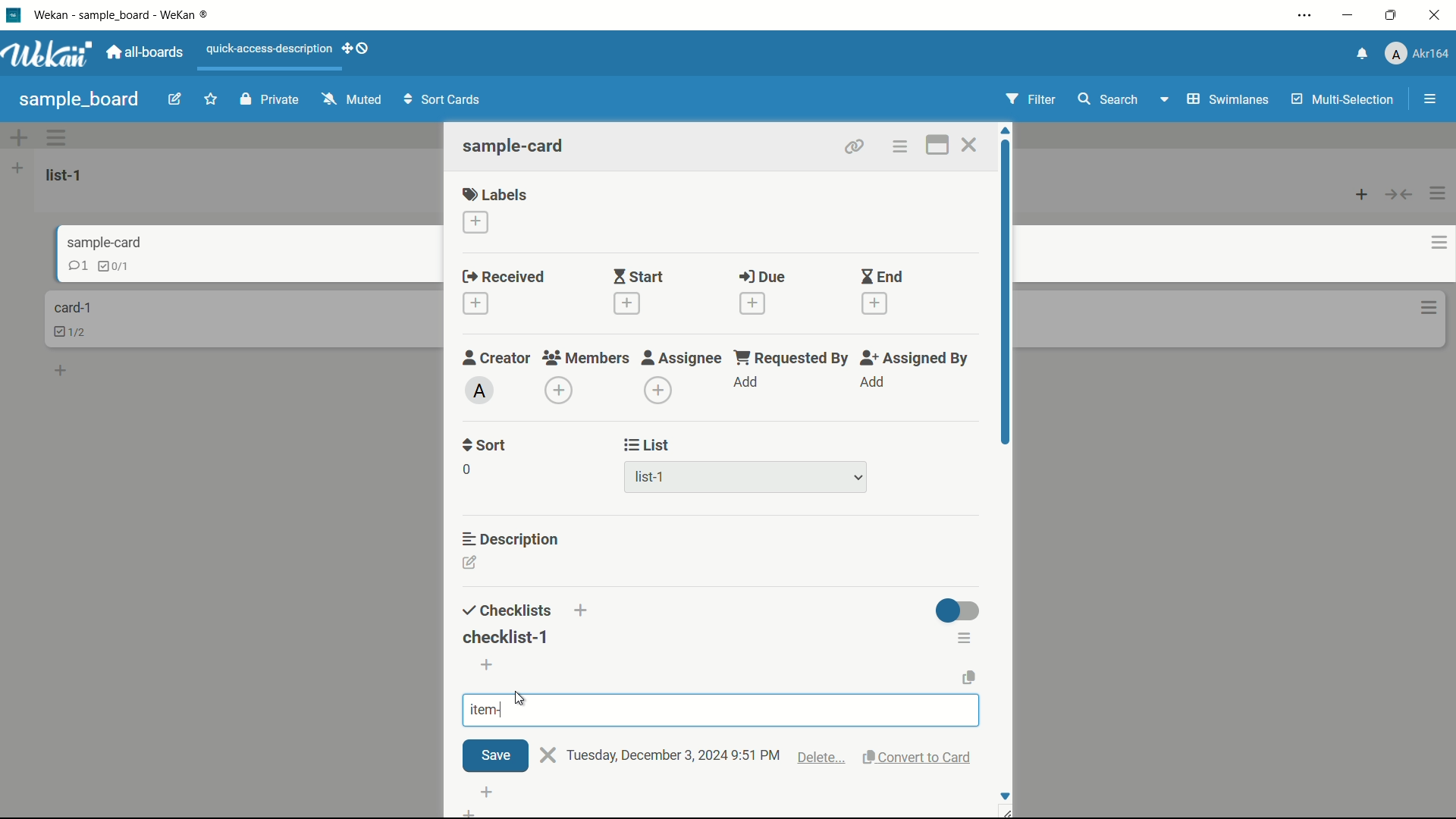 The height and width of the screenshot is (819, 1456). Describe the element at coordinates (175, 98) in the screenshot. I see `edit board` at that location.